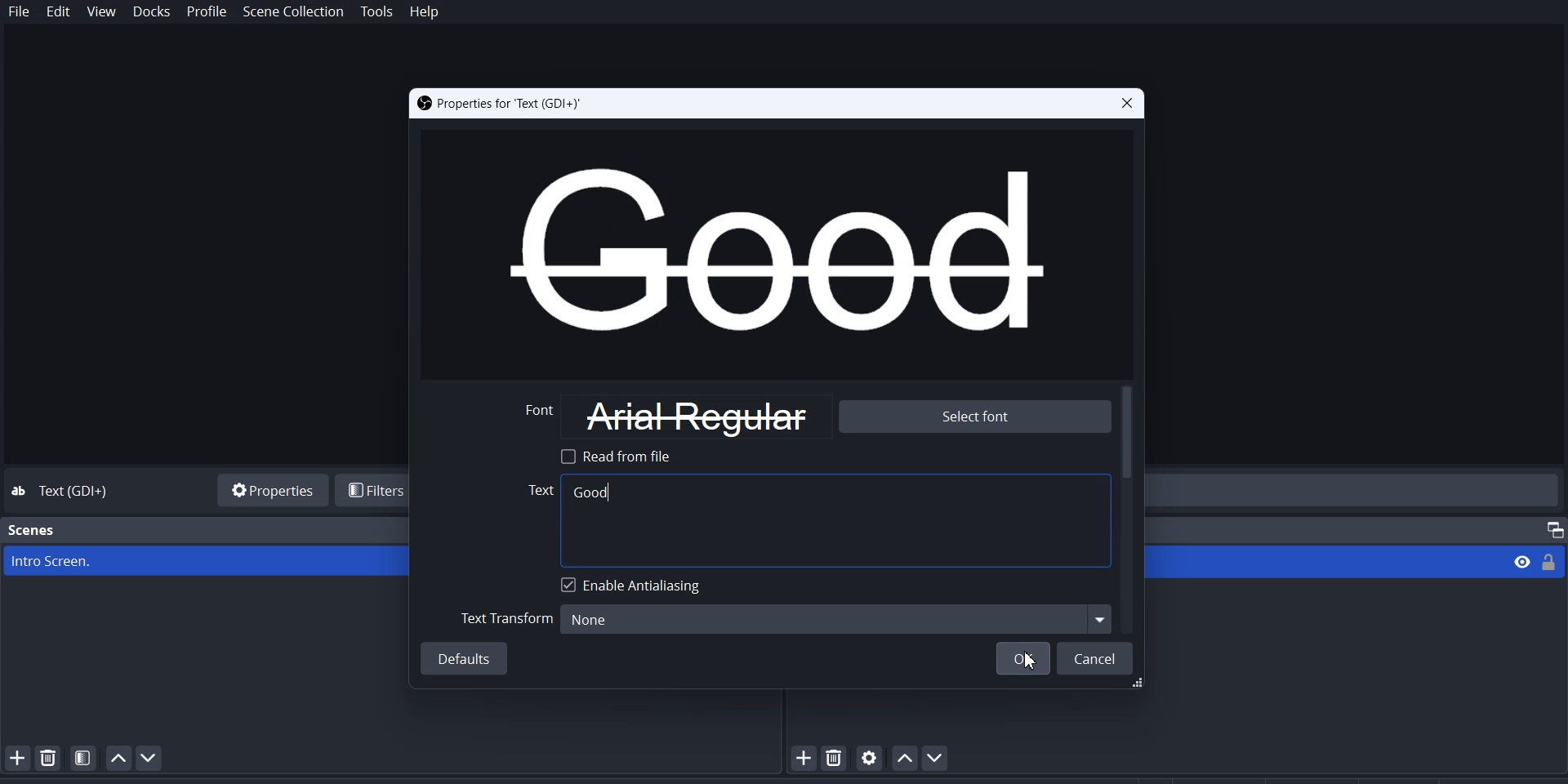 Image resolution: width=1568 pixels, height=784 pixels. What do you see at coordinates (269, 488) in the screenshot?
I see `Properties` at bounding box center [269, 488].